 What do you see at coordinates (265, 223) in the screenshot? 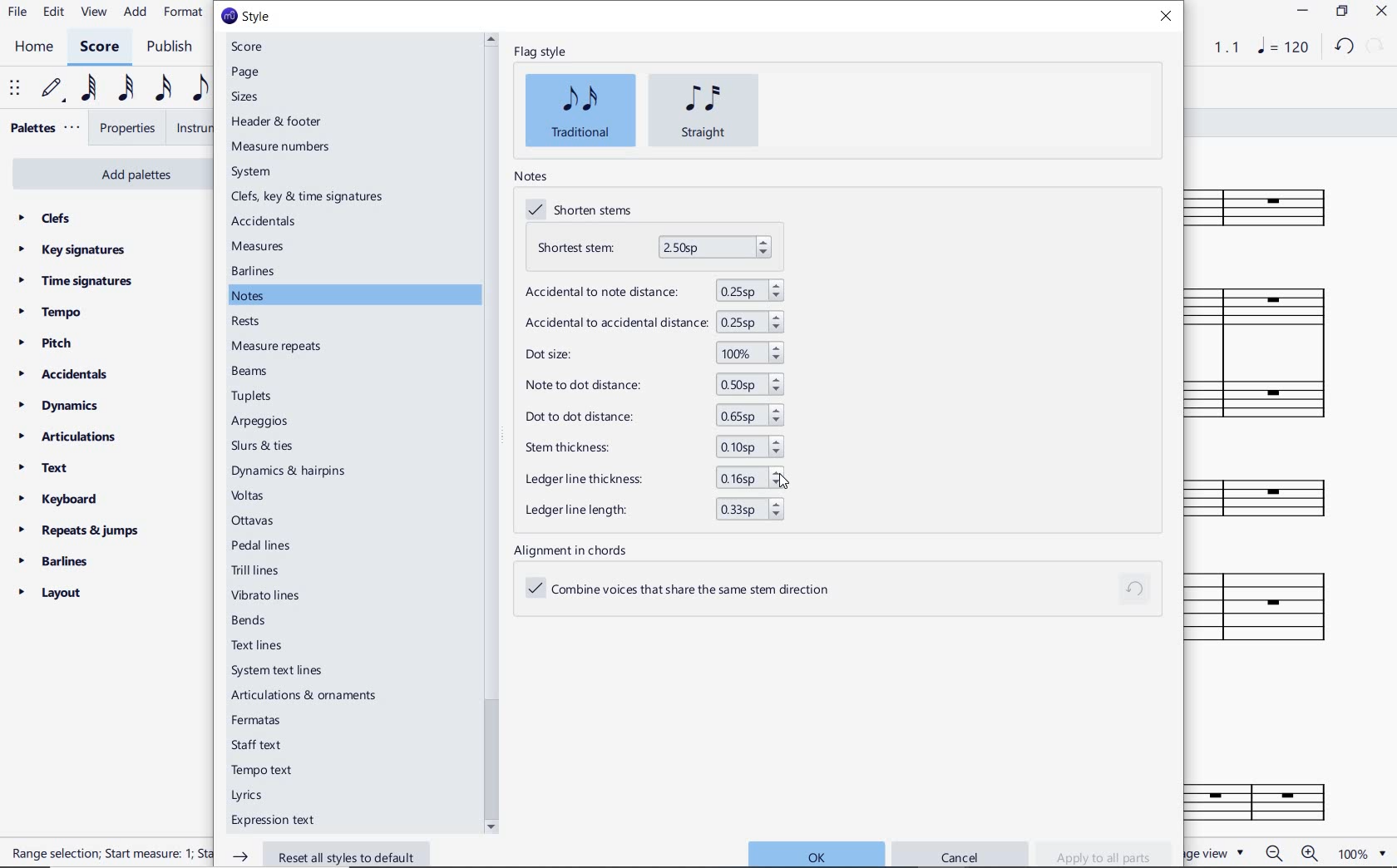
I see `accidentals` at bounding box center [265, 223].